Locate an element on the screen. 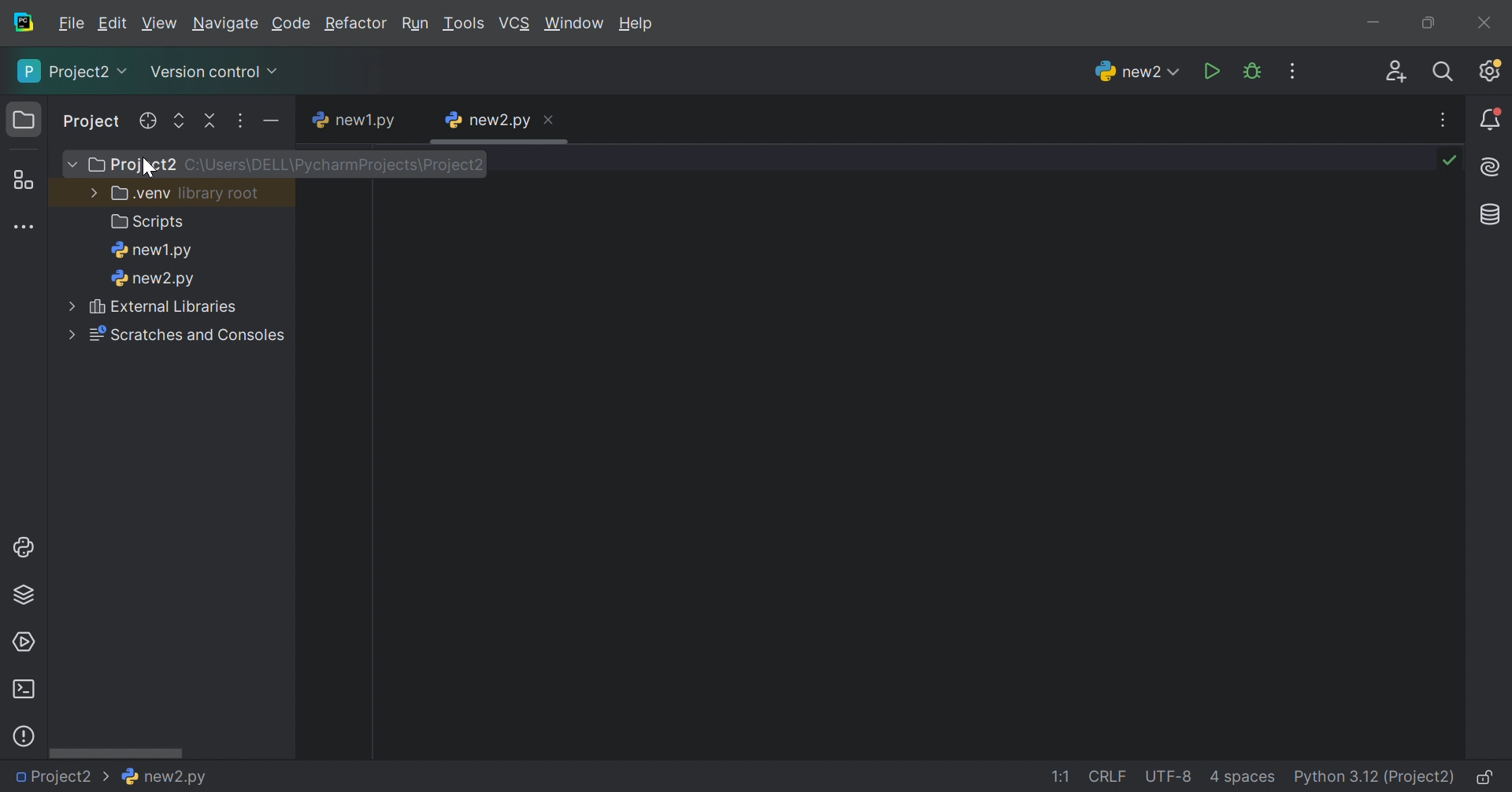 This screenshot has height=792, width=1512. Navigate is located at coordinates (225, 23).